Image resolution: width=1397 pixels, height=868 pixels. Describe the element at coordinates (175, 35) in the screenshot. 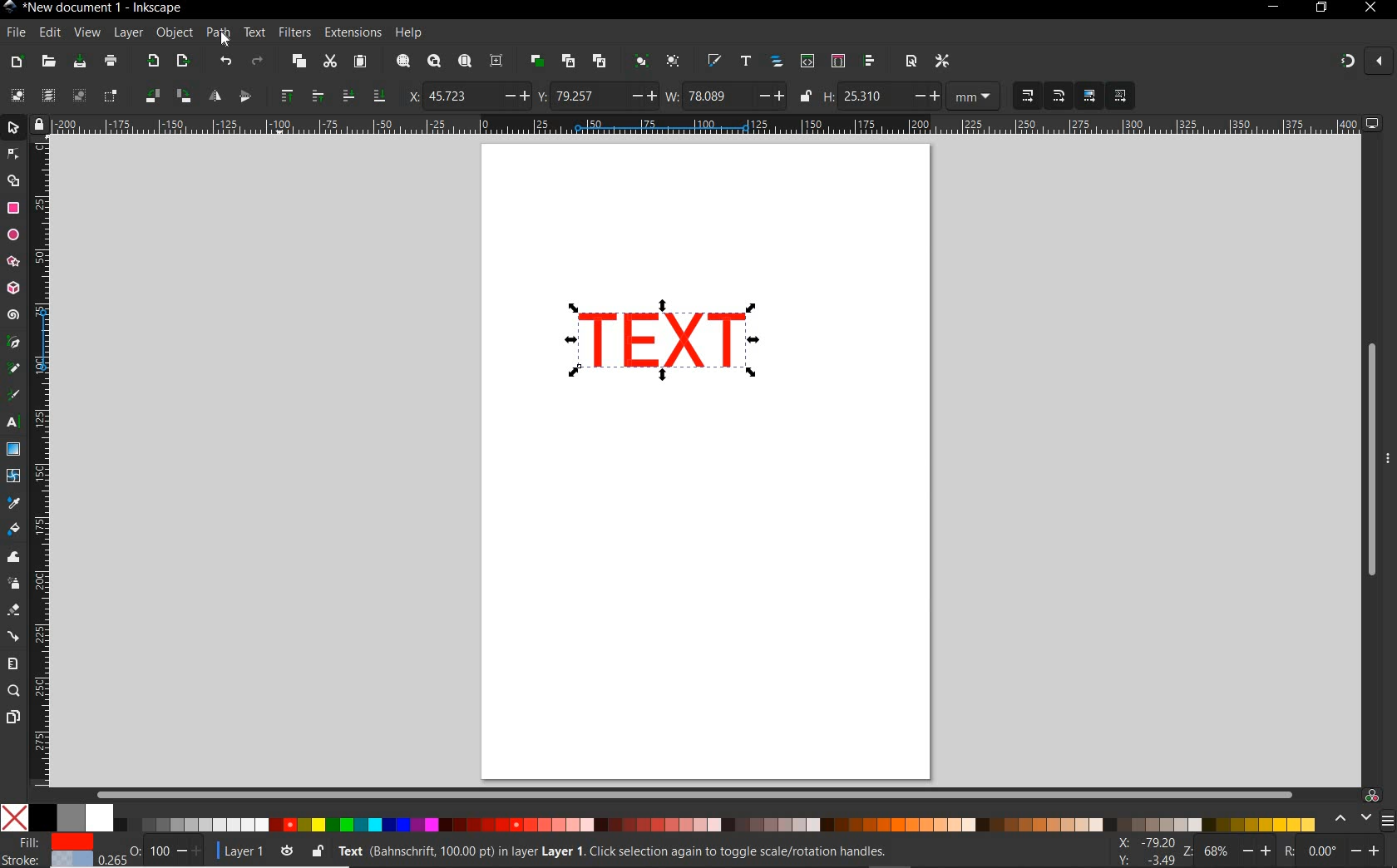

I see `OBJECT` at that location.